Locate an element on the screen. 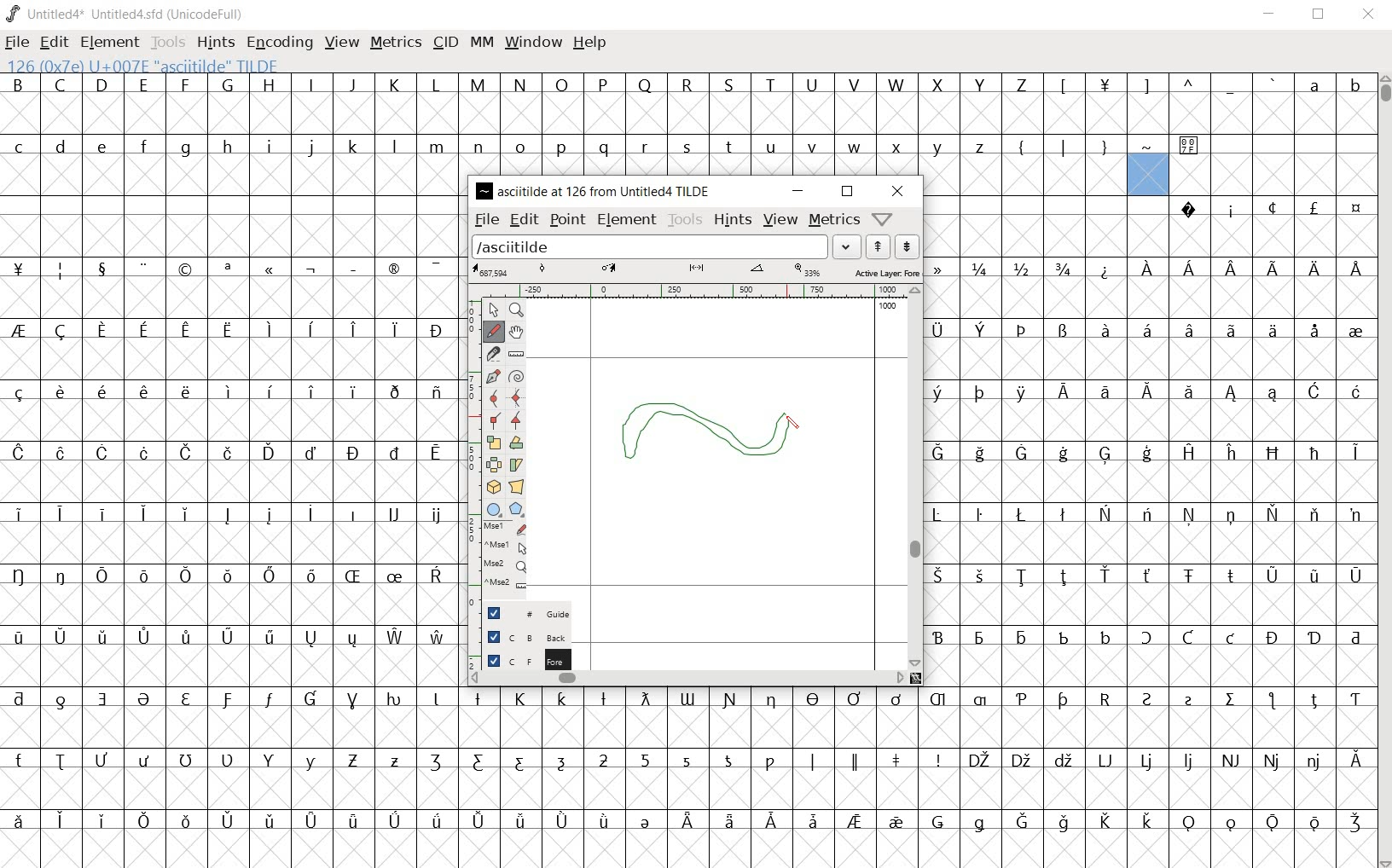 This screenshot has height=868, width=1392. foreground is located at coordinates (519, 659).